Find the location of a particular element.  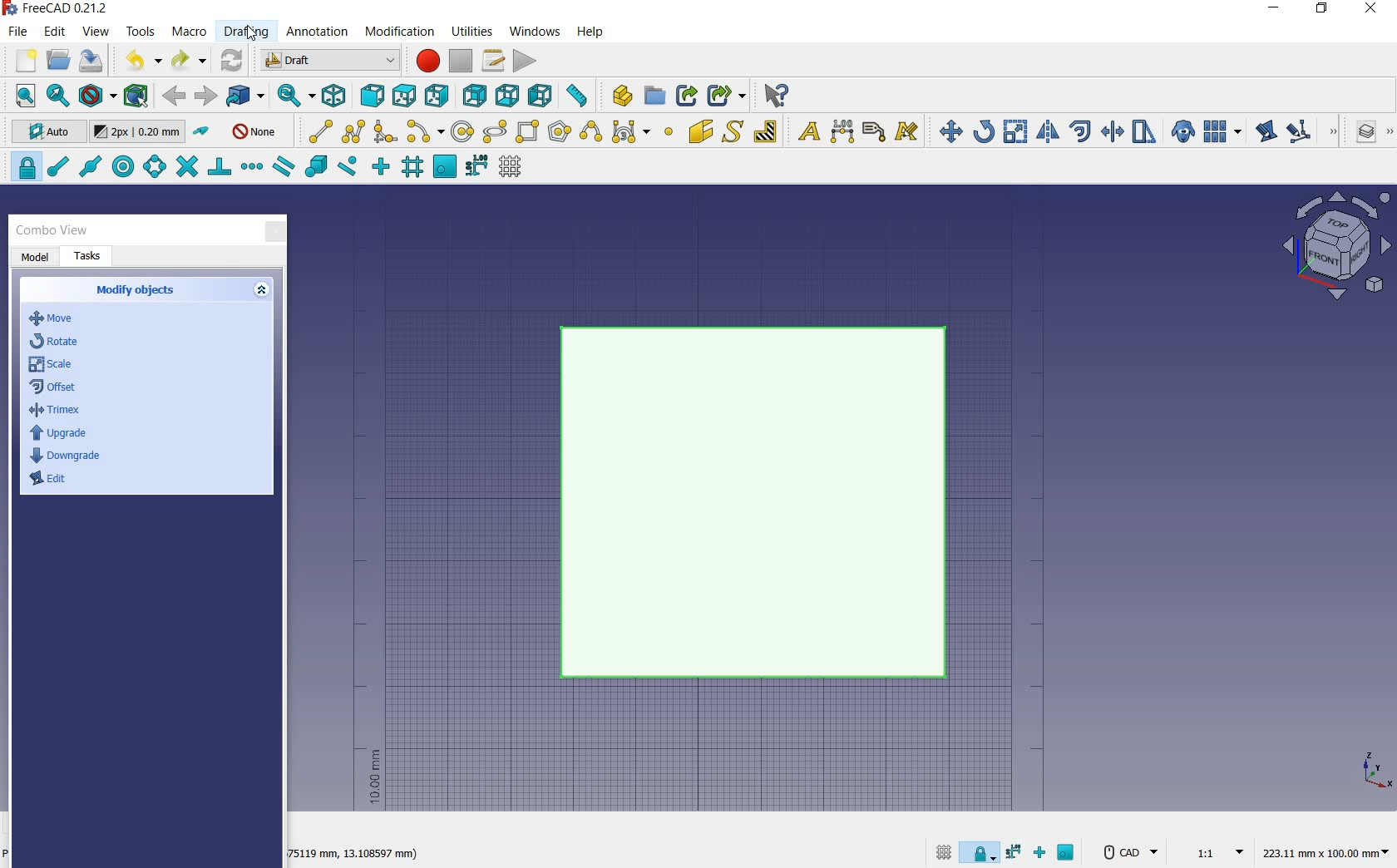

10mm is located at coordinates (373, 777).